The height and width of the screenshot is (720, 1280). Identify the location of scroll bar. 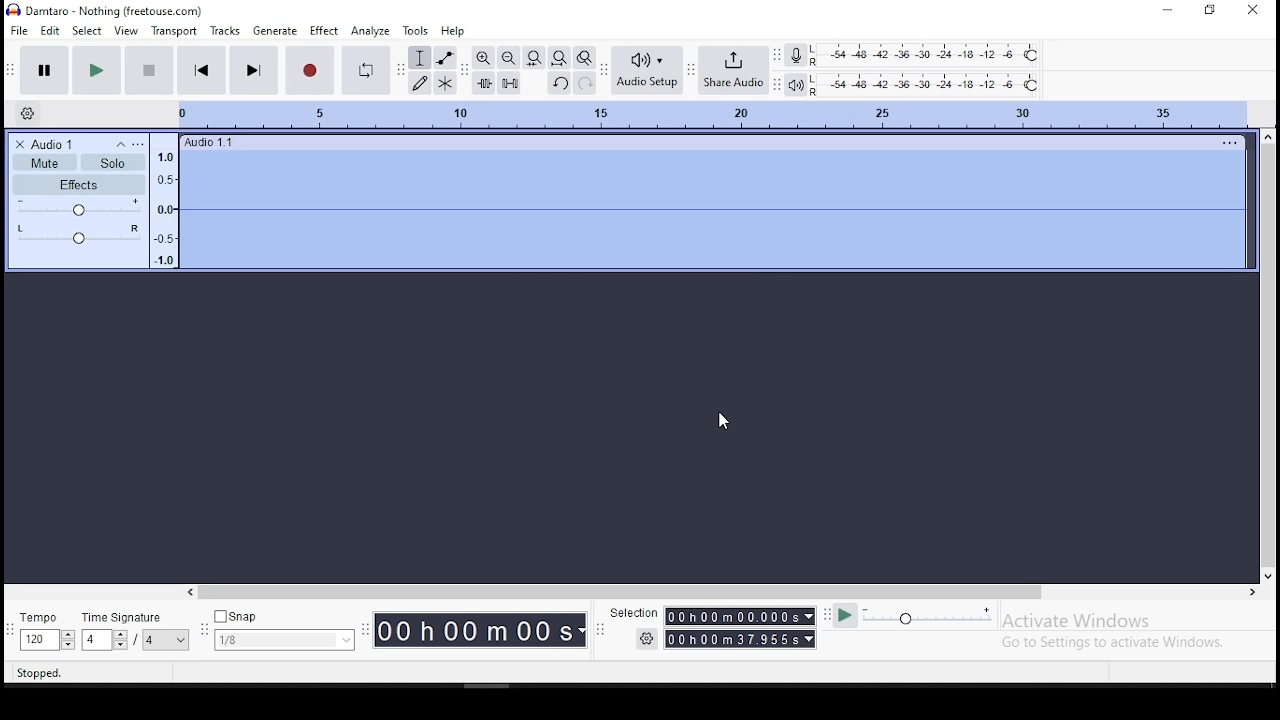
(721, 590).